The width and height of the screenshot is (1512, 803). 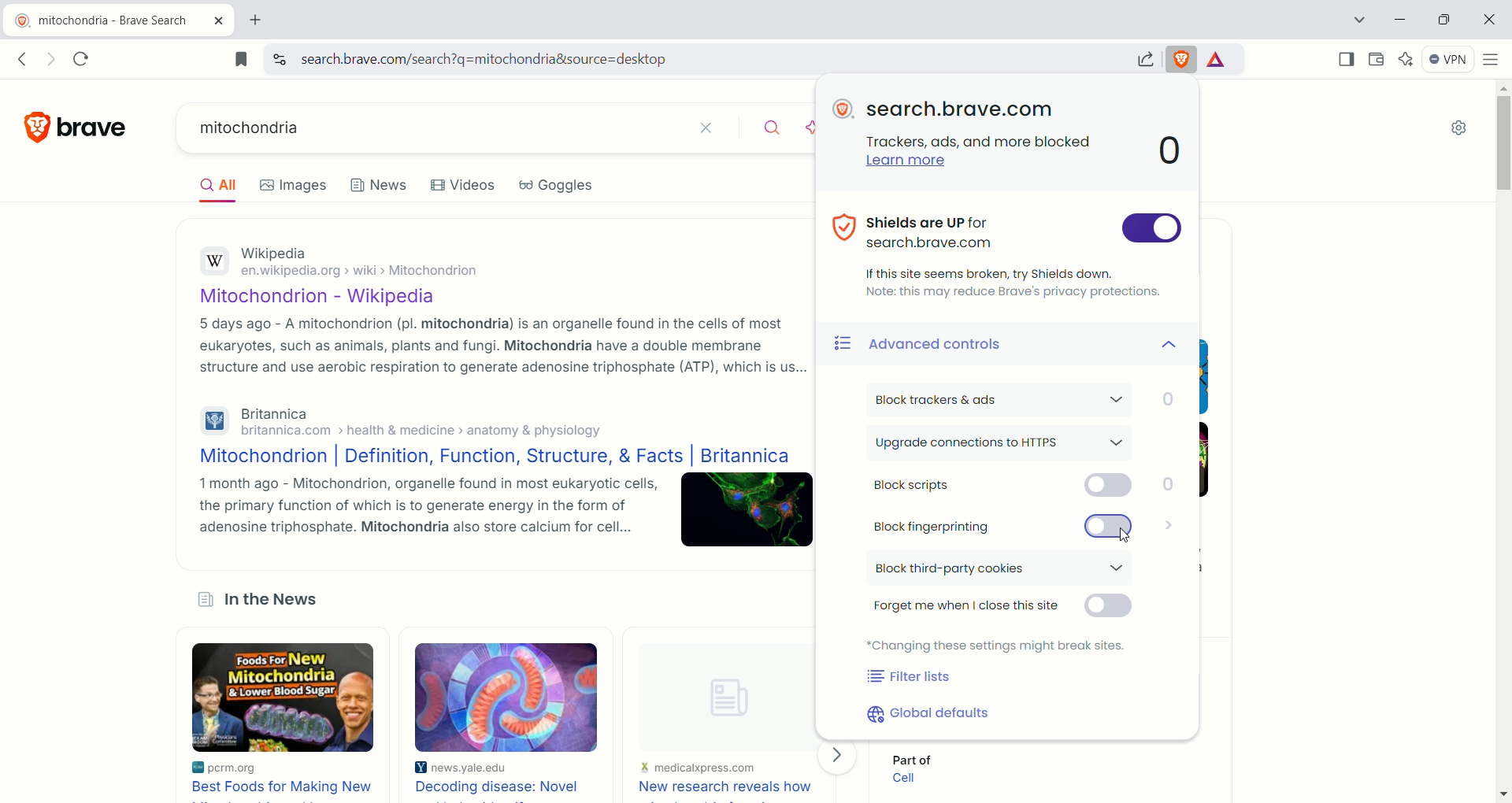 What do you see at coordinates (1121, 538) in the screenshot?
I see `cursor` at bounding box center [1121, 538].